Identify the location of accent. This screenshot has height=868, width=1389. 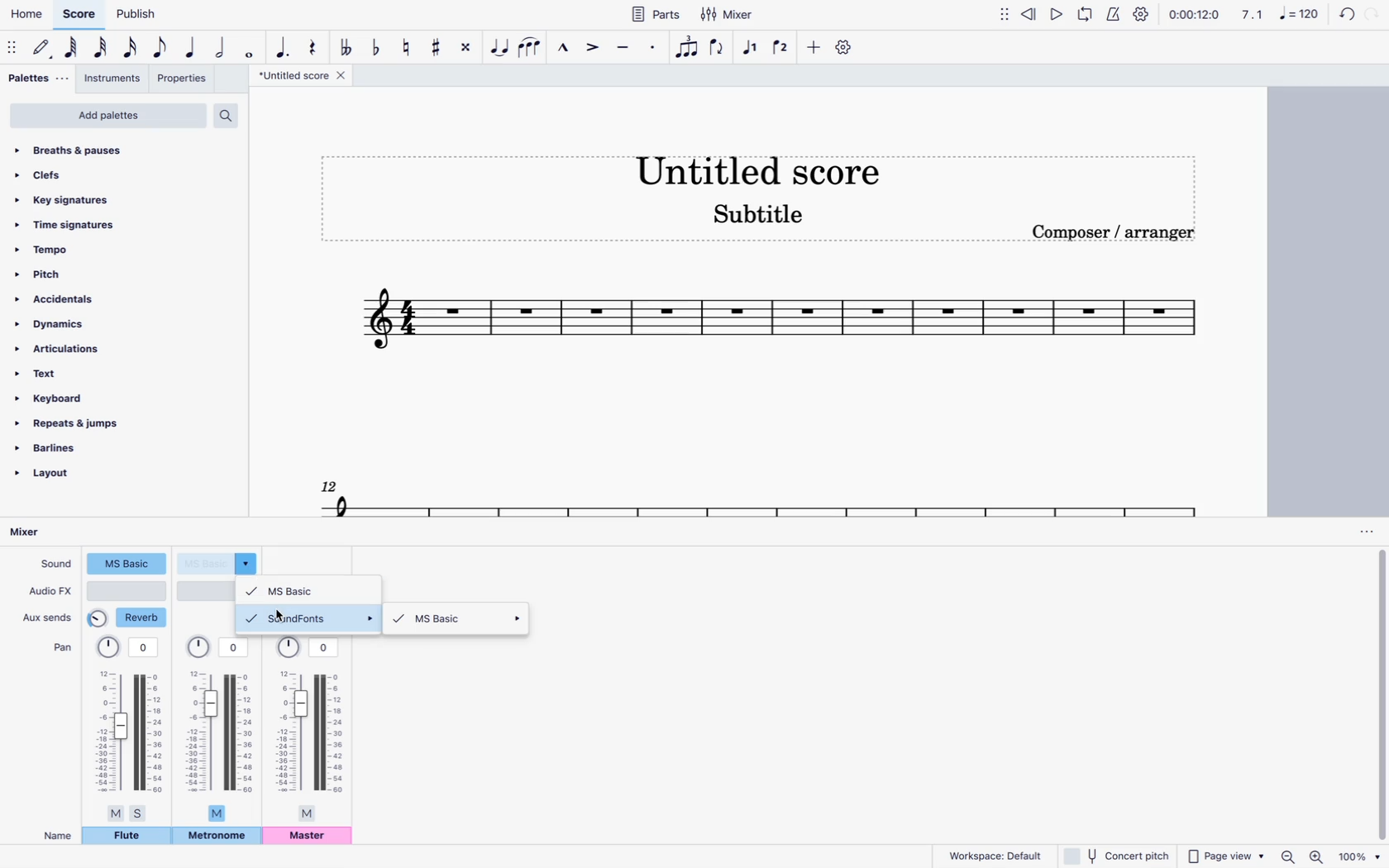
(590, 51).